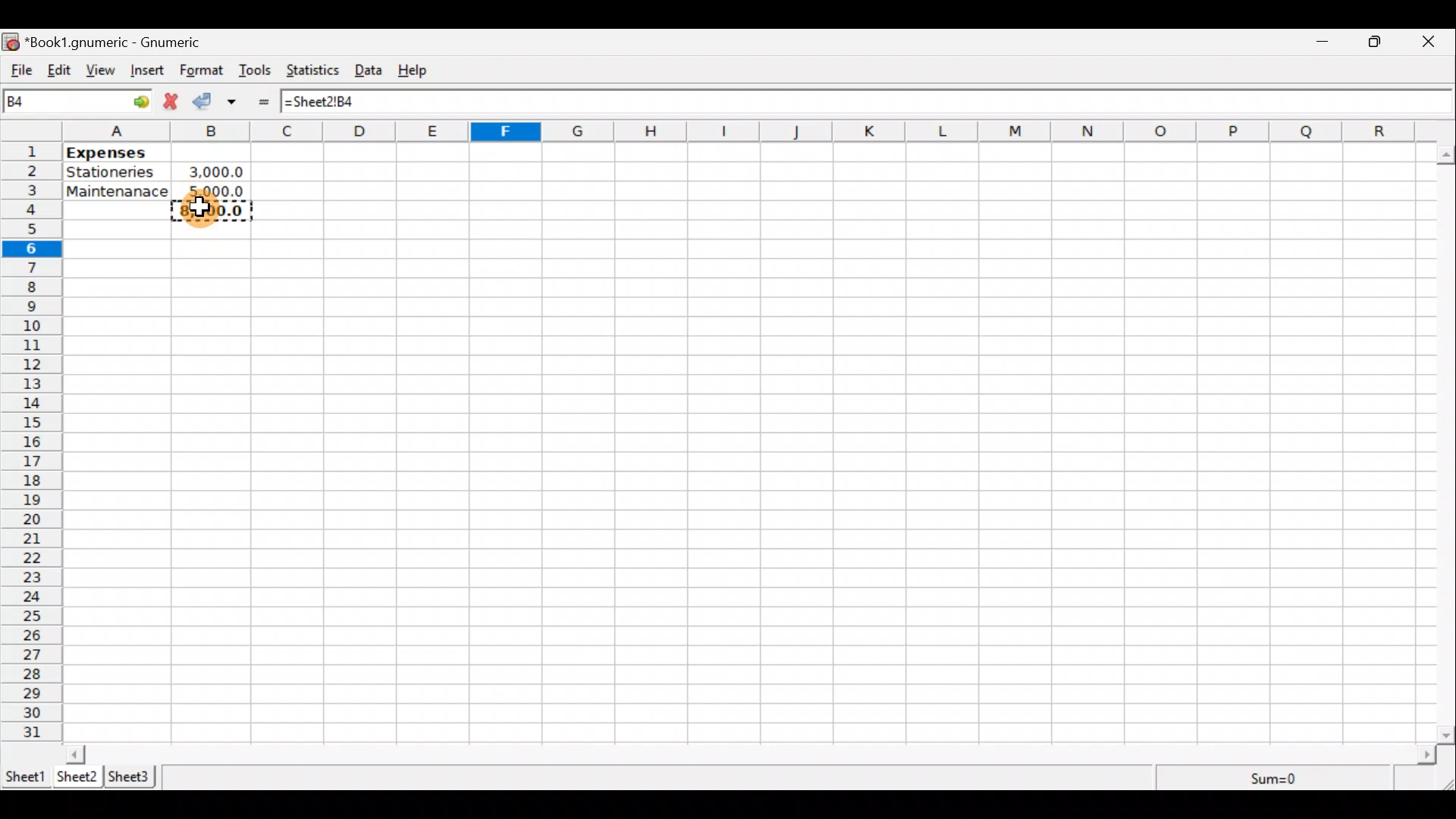  Describe the element at coordinates (315, 72) in the screenshot. I see `Statistics` at that location.